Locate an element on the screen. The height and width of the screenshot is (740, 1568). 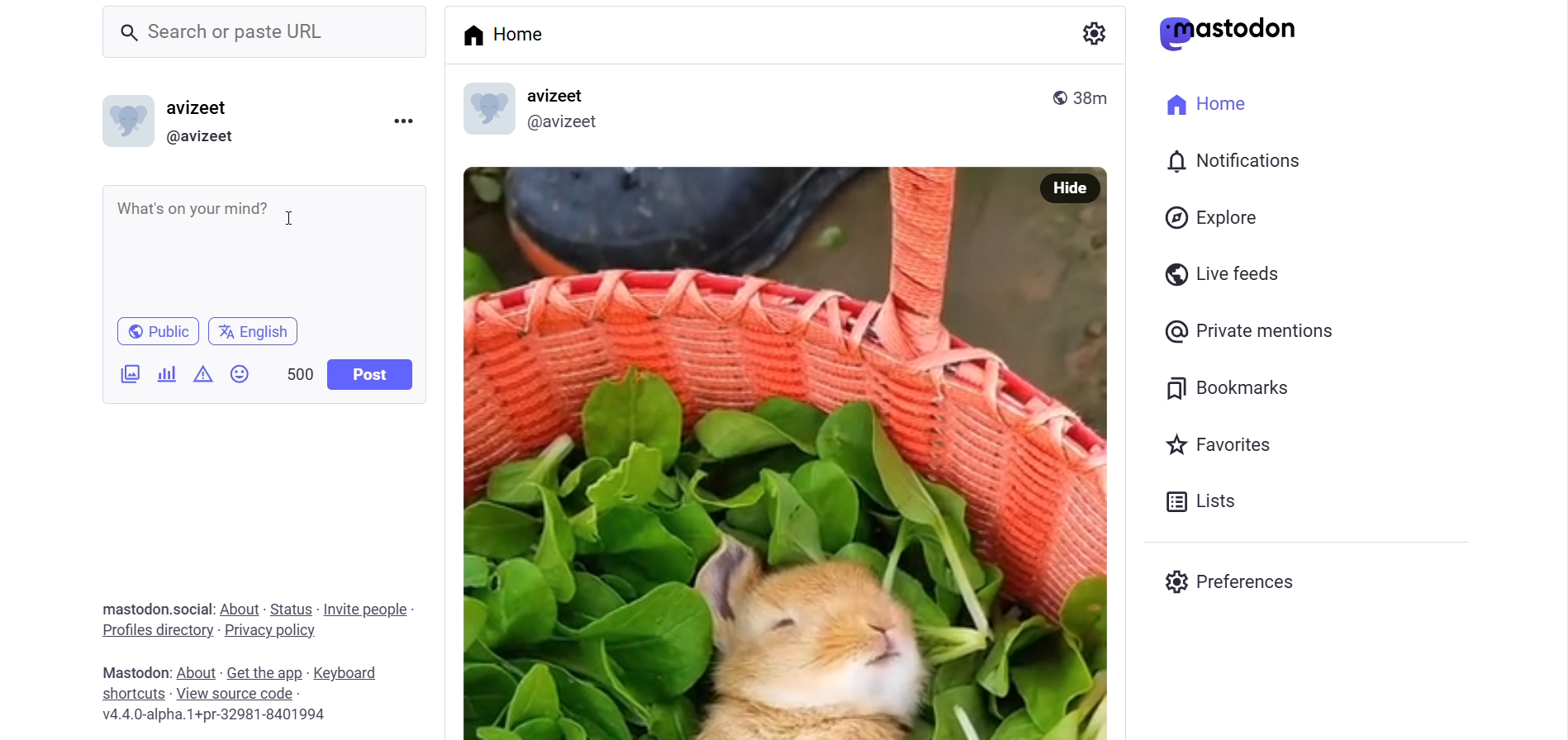
Hide Image is located at coordinates (1070, 189).